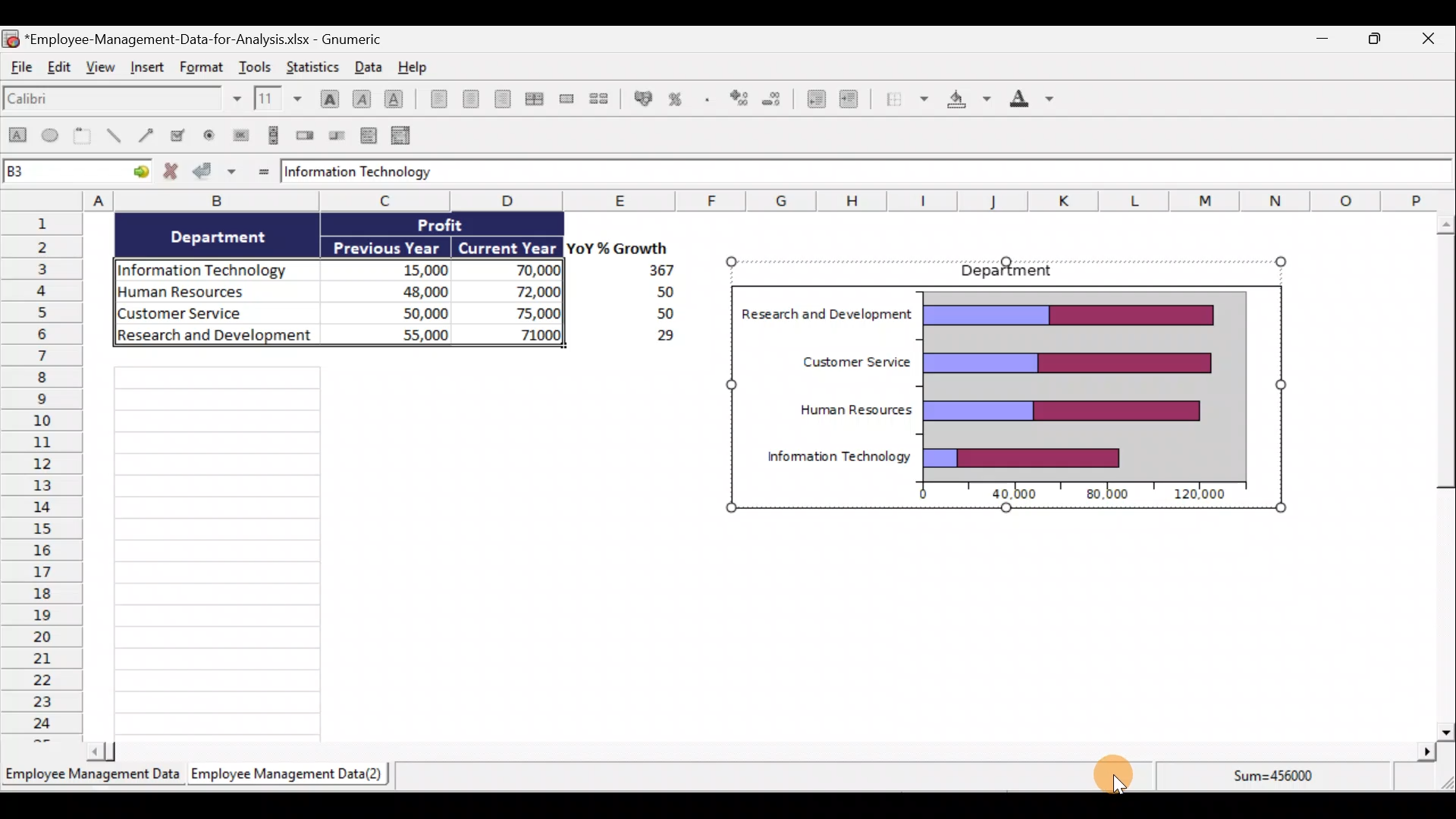 This screenshot has width=1456, height=819. I want to click on Columns, so click(773, 199).